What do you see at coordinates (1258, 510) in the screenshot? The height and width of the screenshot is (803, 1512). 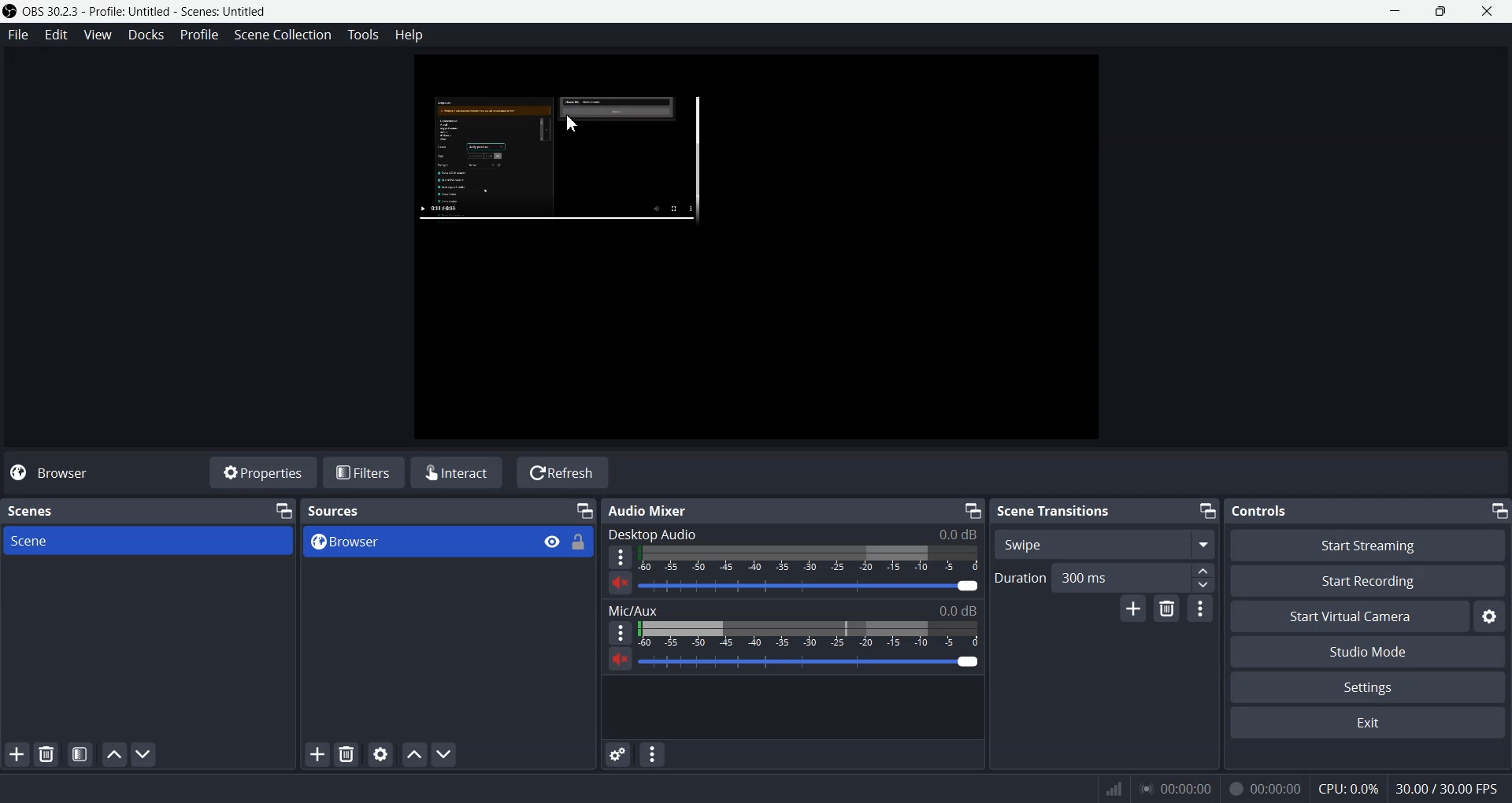 I see `Controls` at bounding box center [1258, 510].